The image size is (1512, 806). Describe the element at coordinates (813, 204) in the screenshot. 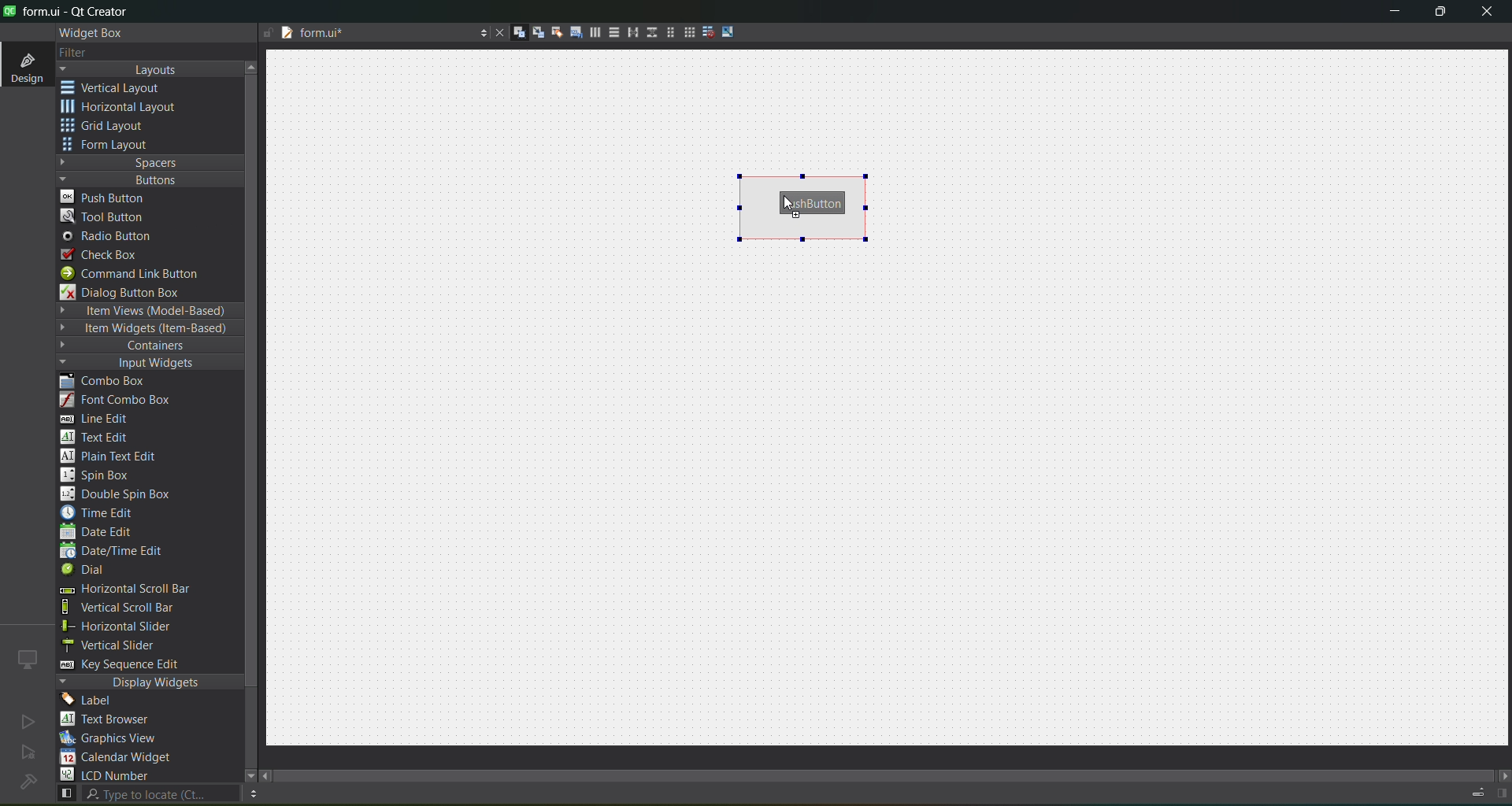

I see `push button` at that location.